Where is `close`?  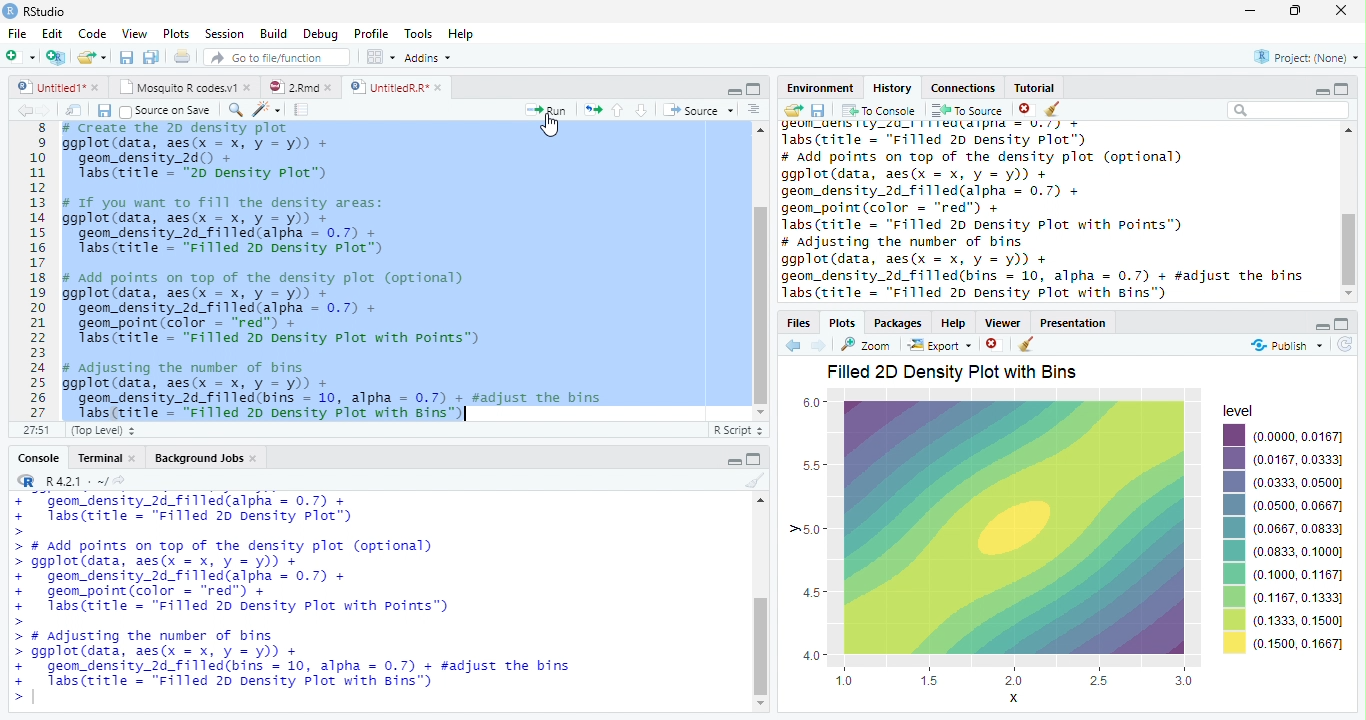 close is located at coordinates (332, 87).